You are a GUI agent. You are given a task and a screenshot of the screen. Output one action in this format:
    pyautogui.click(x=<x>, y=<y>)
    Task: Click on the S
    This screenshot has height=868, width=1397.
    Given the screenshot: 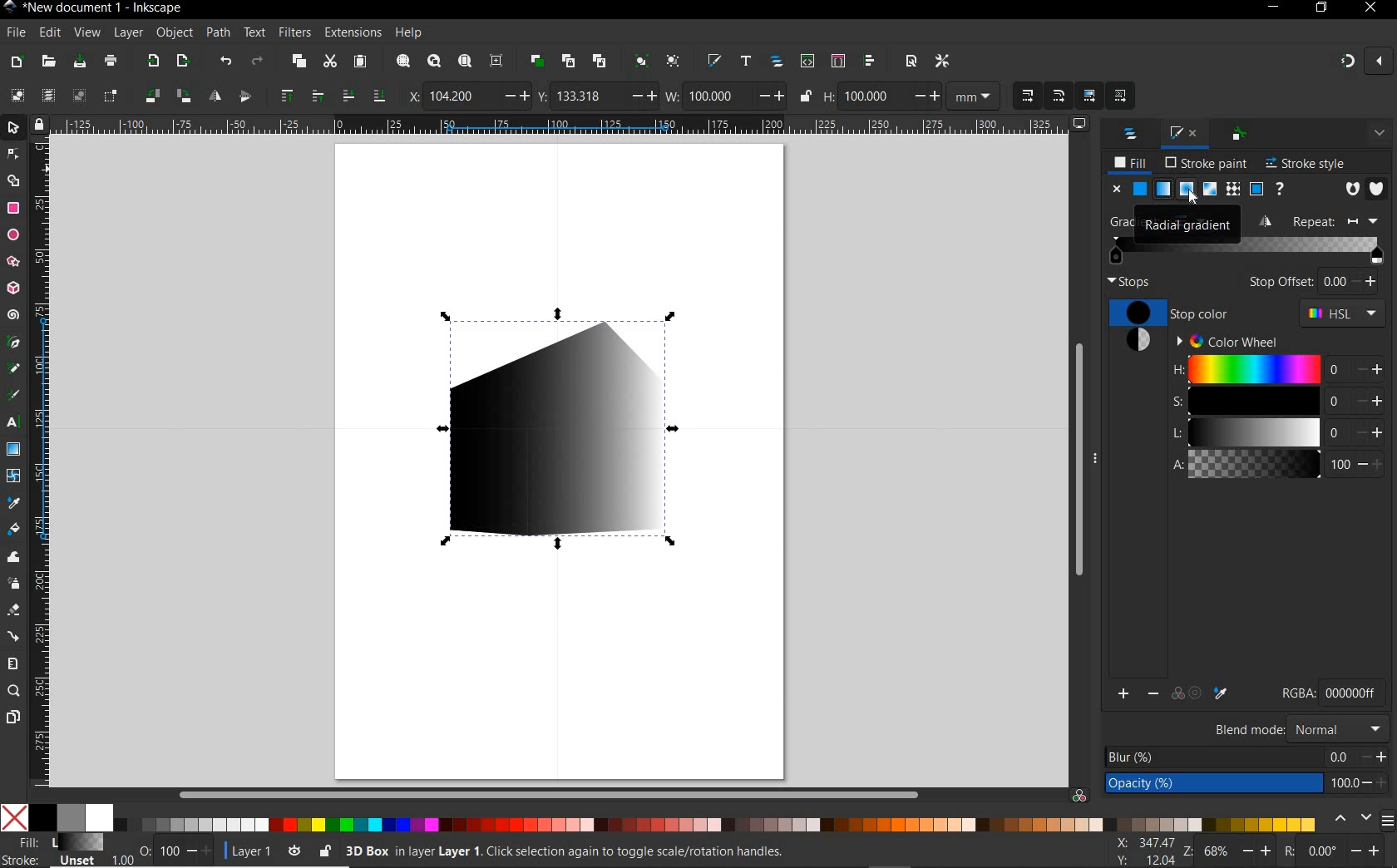 What is the action you would take?
    pyautogui.click(x=1254, y=402)
    